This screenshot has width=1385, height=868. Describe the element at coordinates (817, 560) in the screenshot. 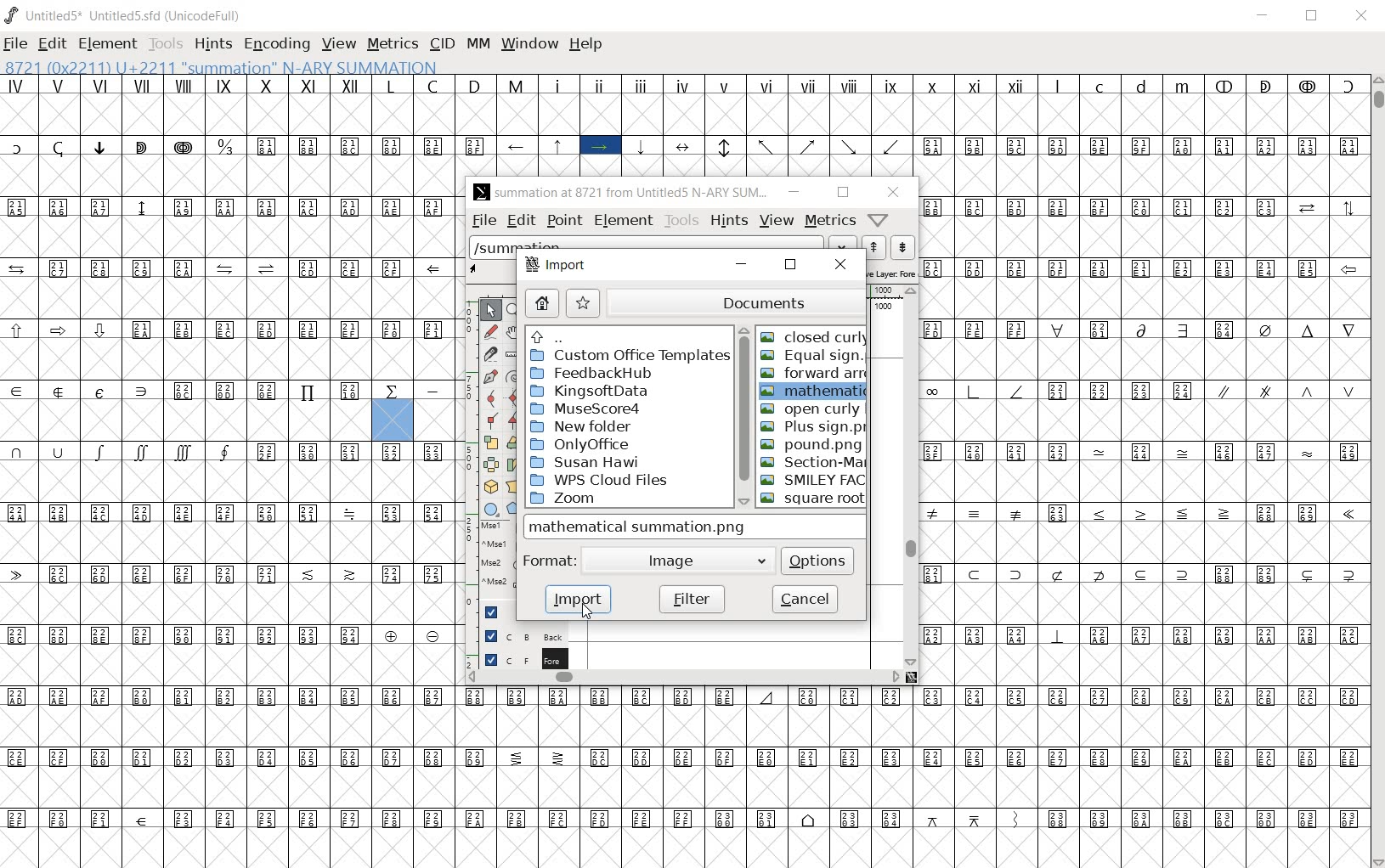

I see `options` at that location.